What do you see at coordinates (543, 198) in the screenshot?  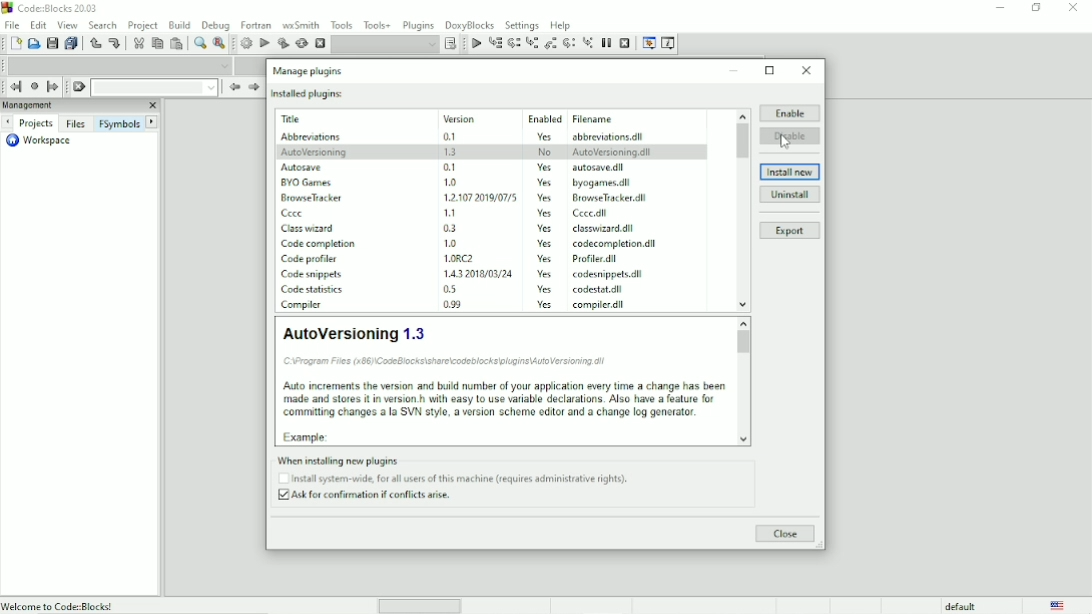 I see `Yes` at bounding box center [543, 198].